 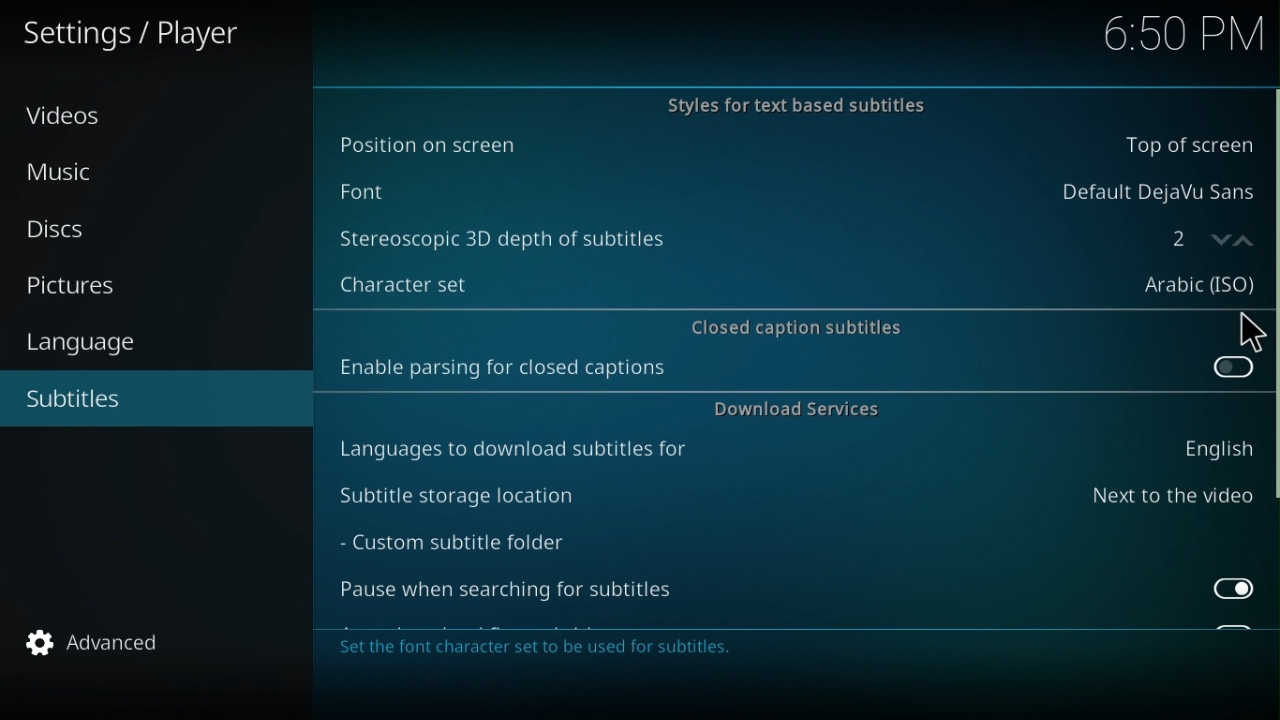 What do you see at coordinates (64, 226) in the screenshot?
I see `Disc` at bounding box center [64, 226].